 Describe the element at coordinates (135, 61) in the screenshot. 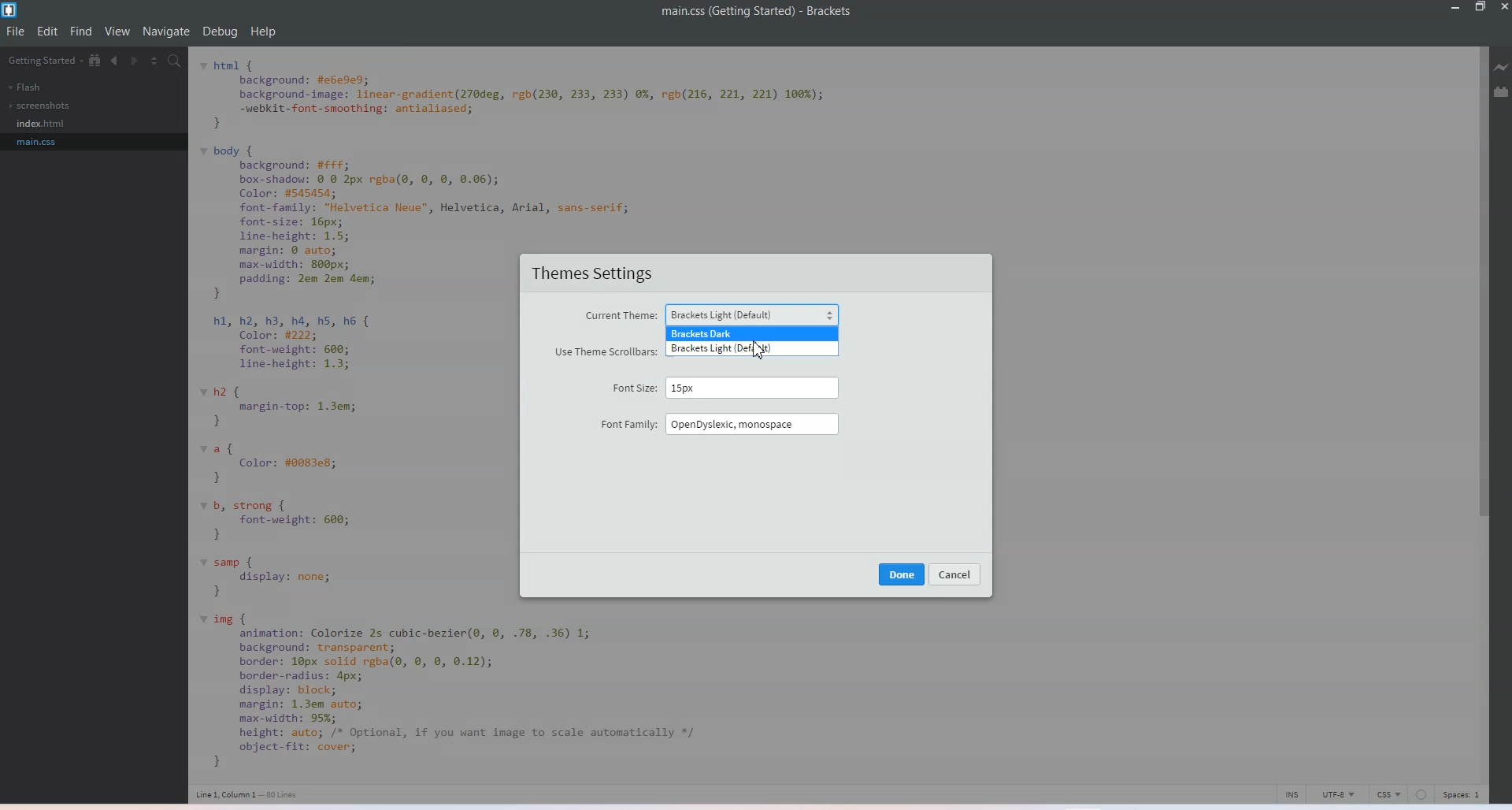

I see `Navigate Forward` at that location.